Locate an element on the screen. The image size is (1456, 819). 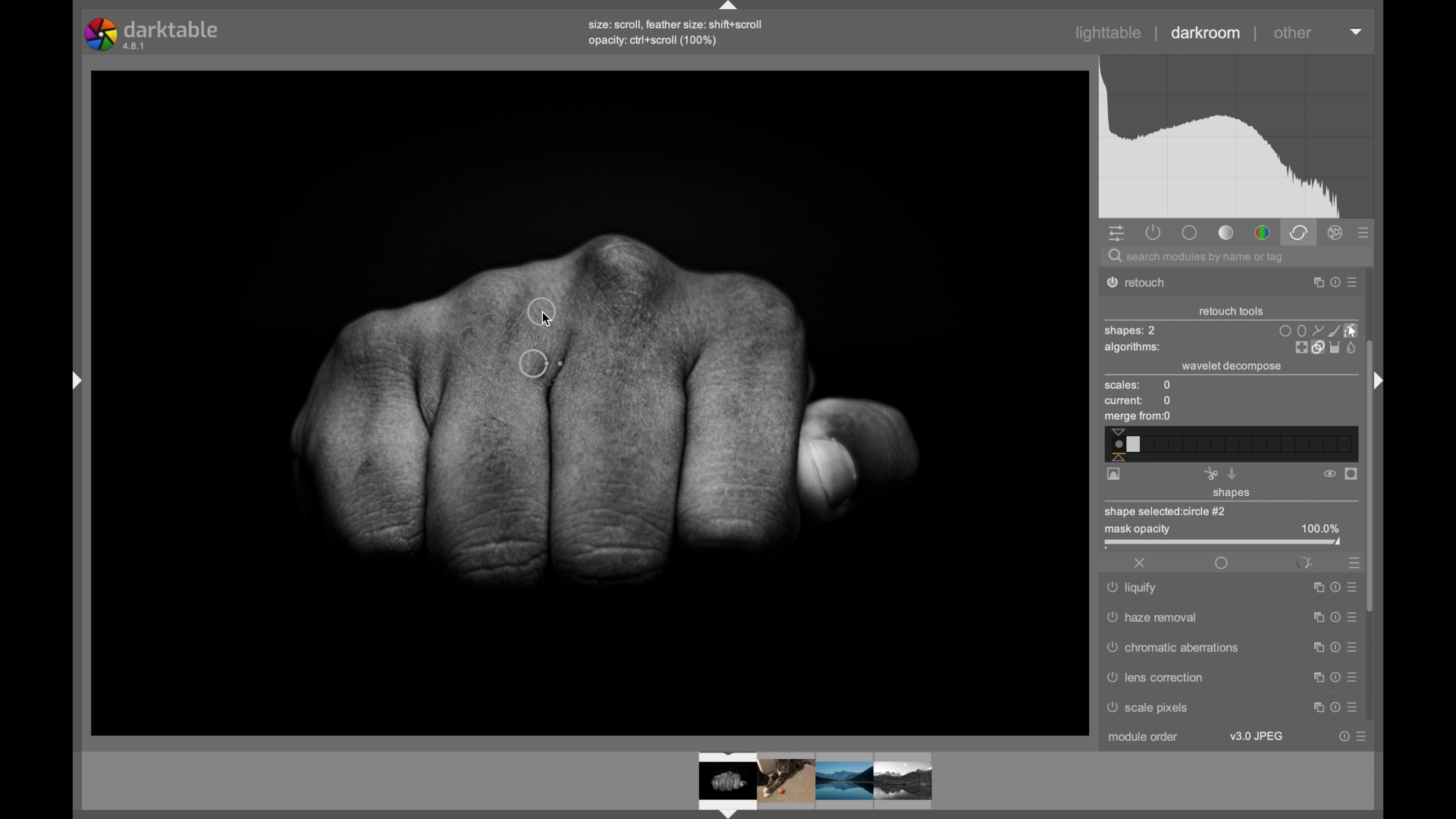
help is located at coordinates (1332, 617).